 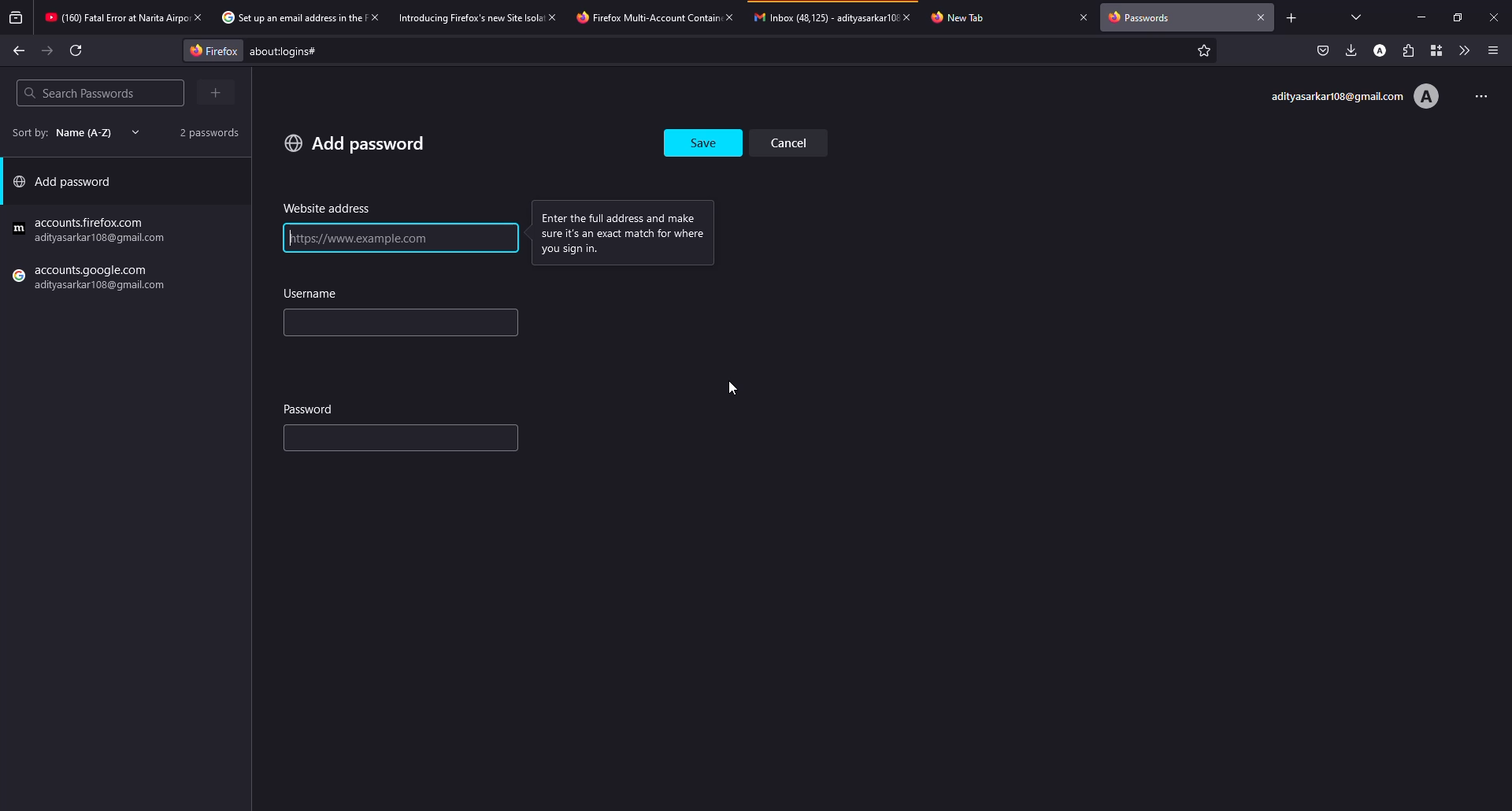 What do you see at coordinates (469, 17) in the screenshot?
I see `tab` at bounding box center [469, 17].